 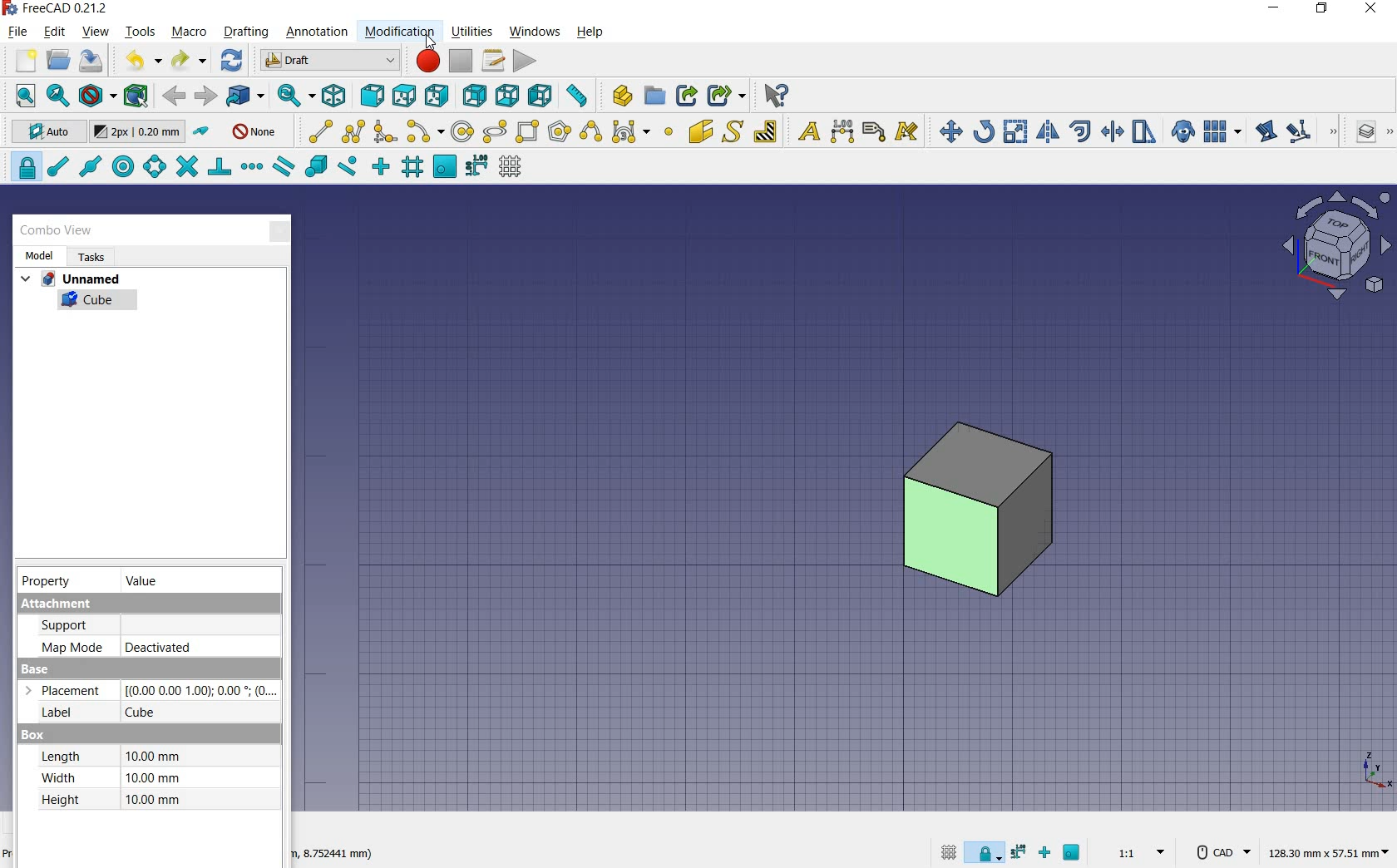 I want to click on snap near, so click(x=348, y=166).